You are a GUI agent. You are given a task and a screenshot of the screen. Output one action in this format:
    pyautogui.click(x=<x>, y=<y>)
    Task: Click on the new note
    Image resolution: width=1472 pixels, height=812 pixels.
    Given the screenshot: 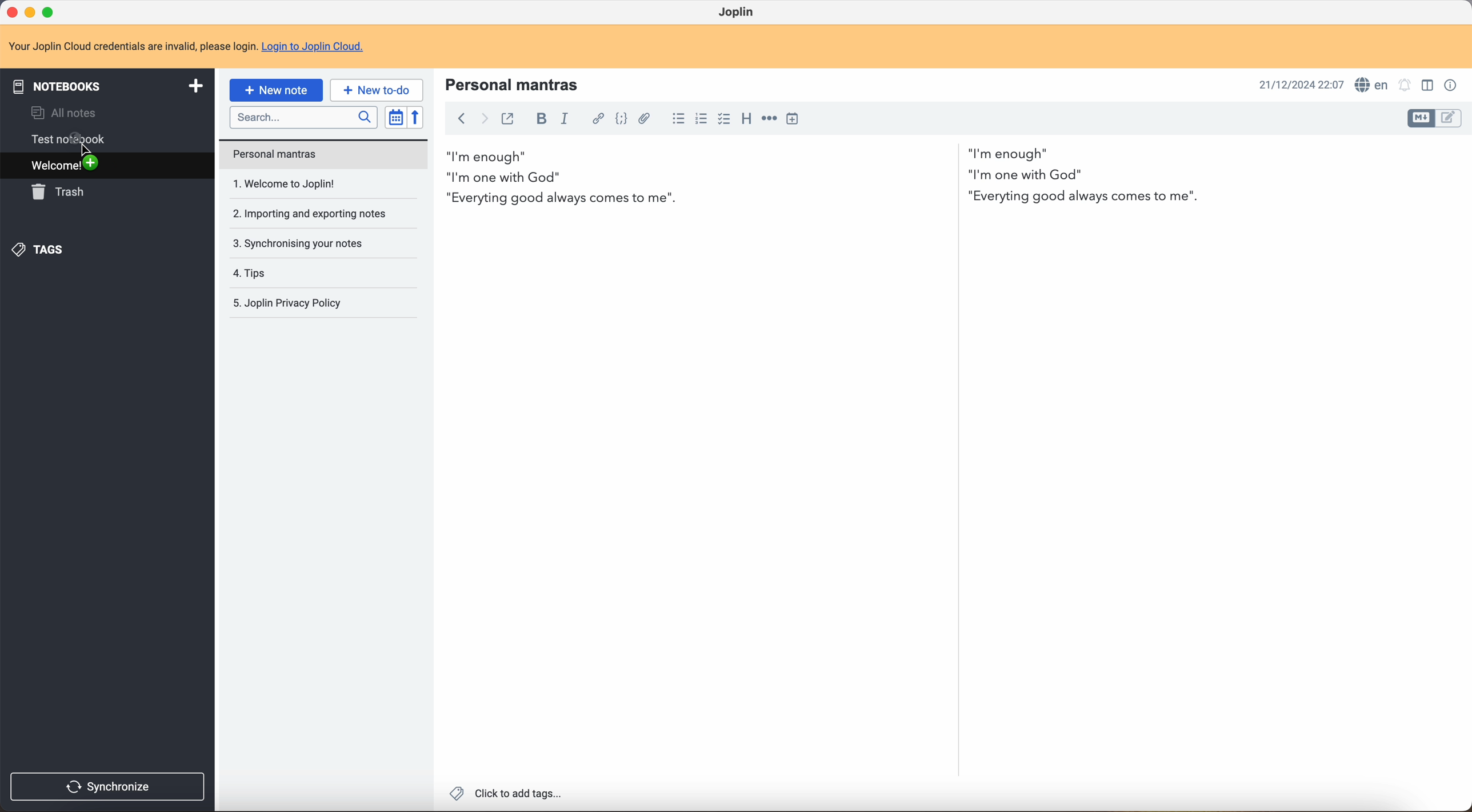 What is the action you would take?
    pyautogui.click(x=275, y=89)
    